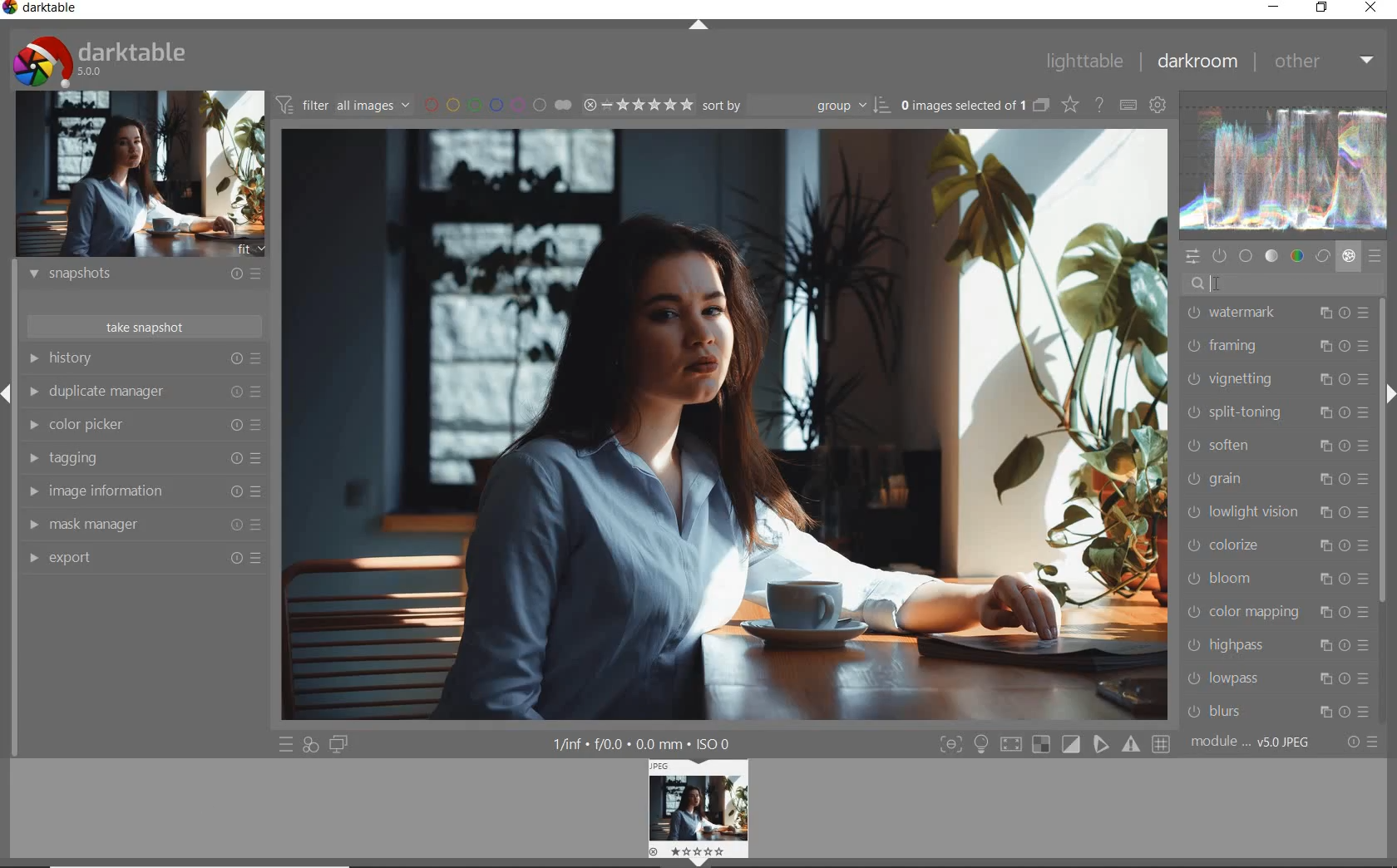  Describe the element at coordinates (146, 459) in the screenshot. I see `tagging` at that location.